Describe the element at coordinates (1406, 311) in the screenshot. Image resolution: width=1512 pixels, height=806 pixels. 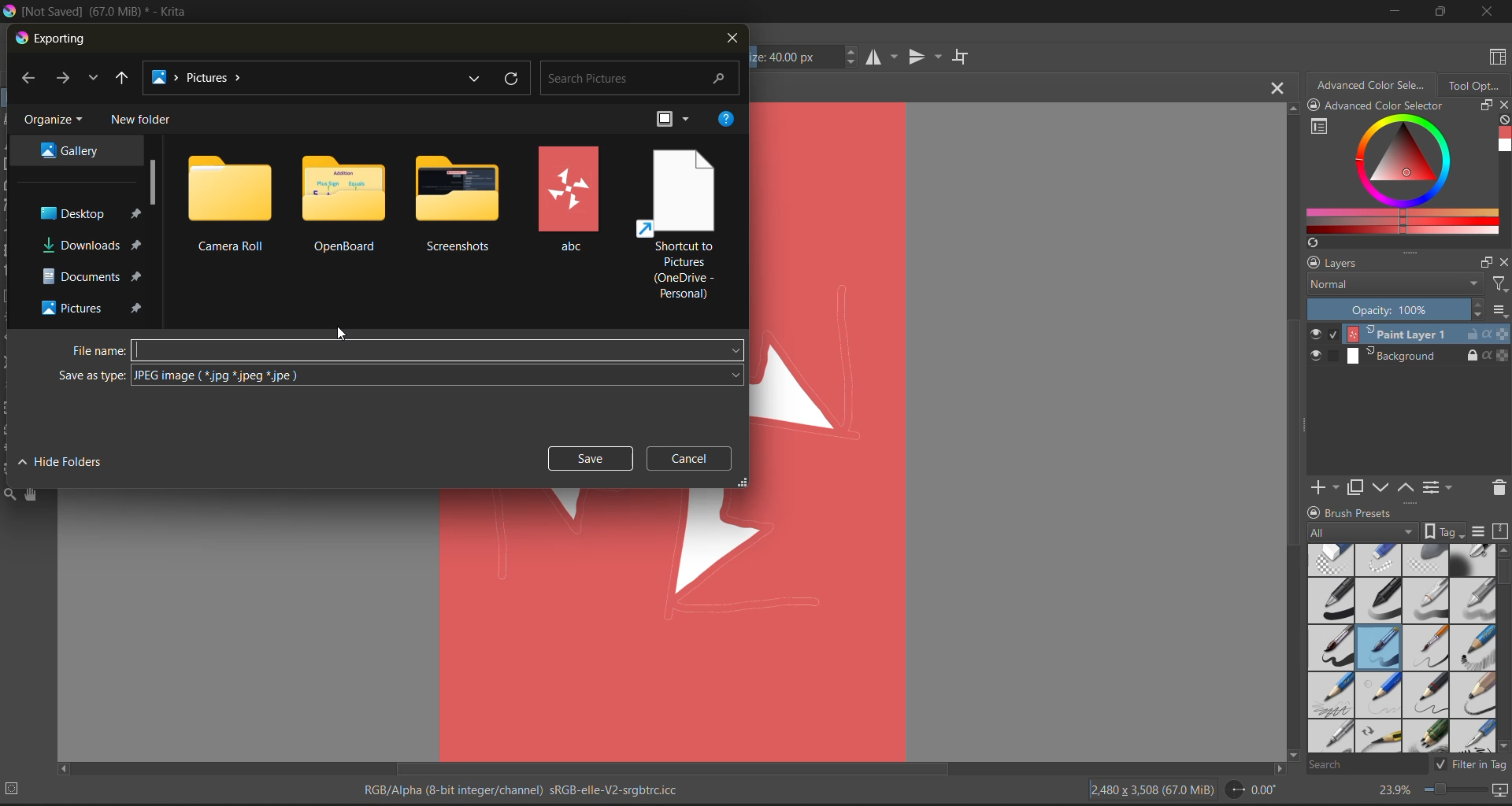
I see `opacity` at that location.